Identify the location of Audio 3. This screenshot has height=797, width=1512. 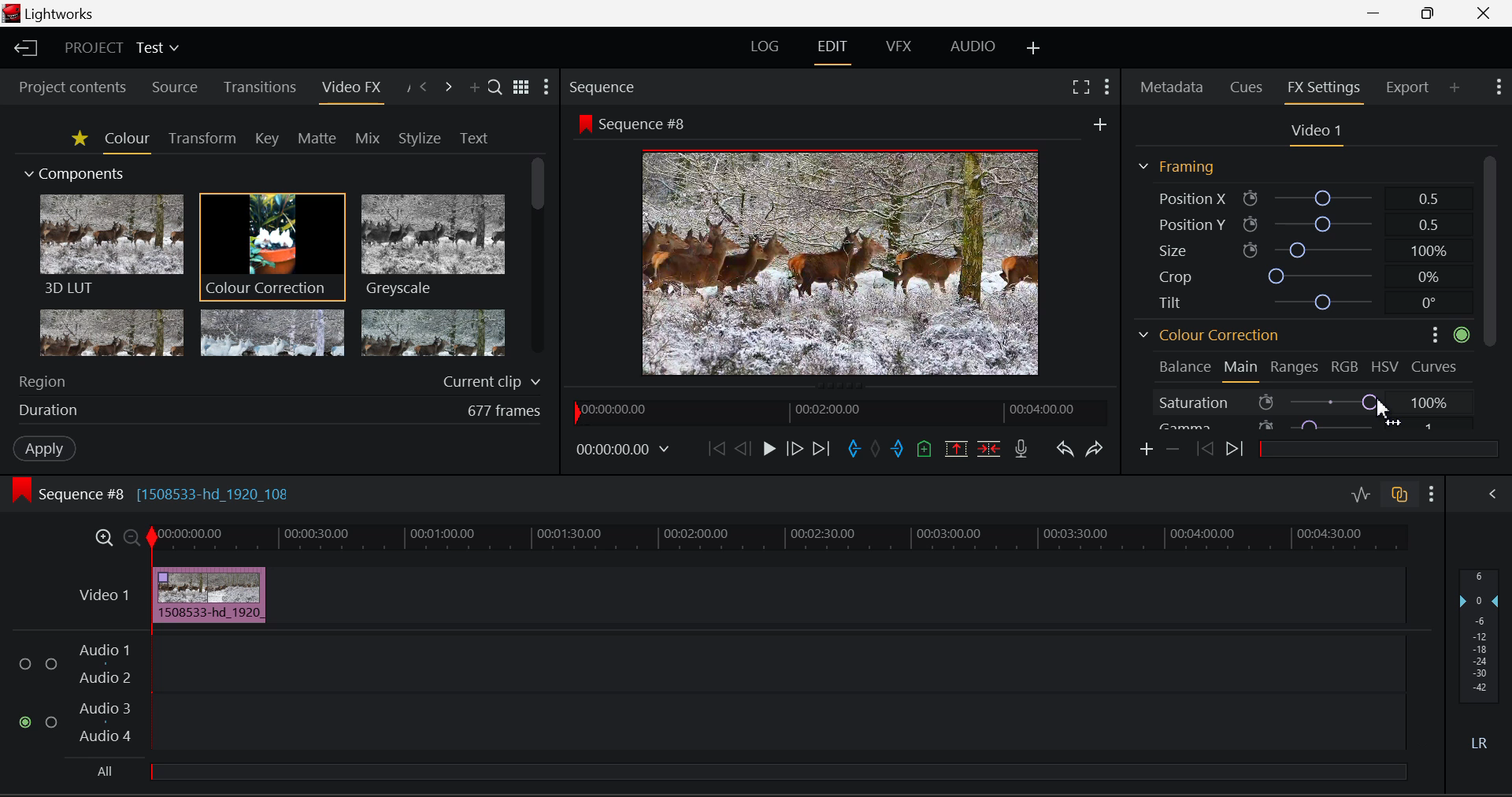
(105, 710).